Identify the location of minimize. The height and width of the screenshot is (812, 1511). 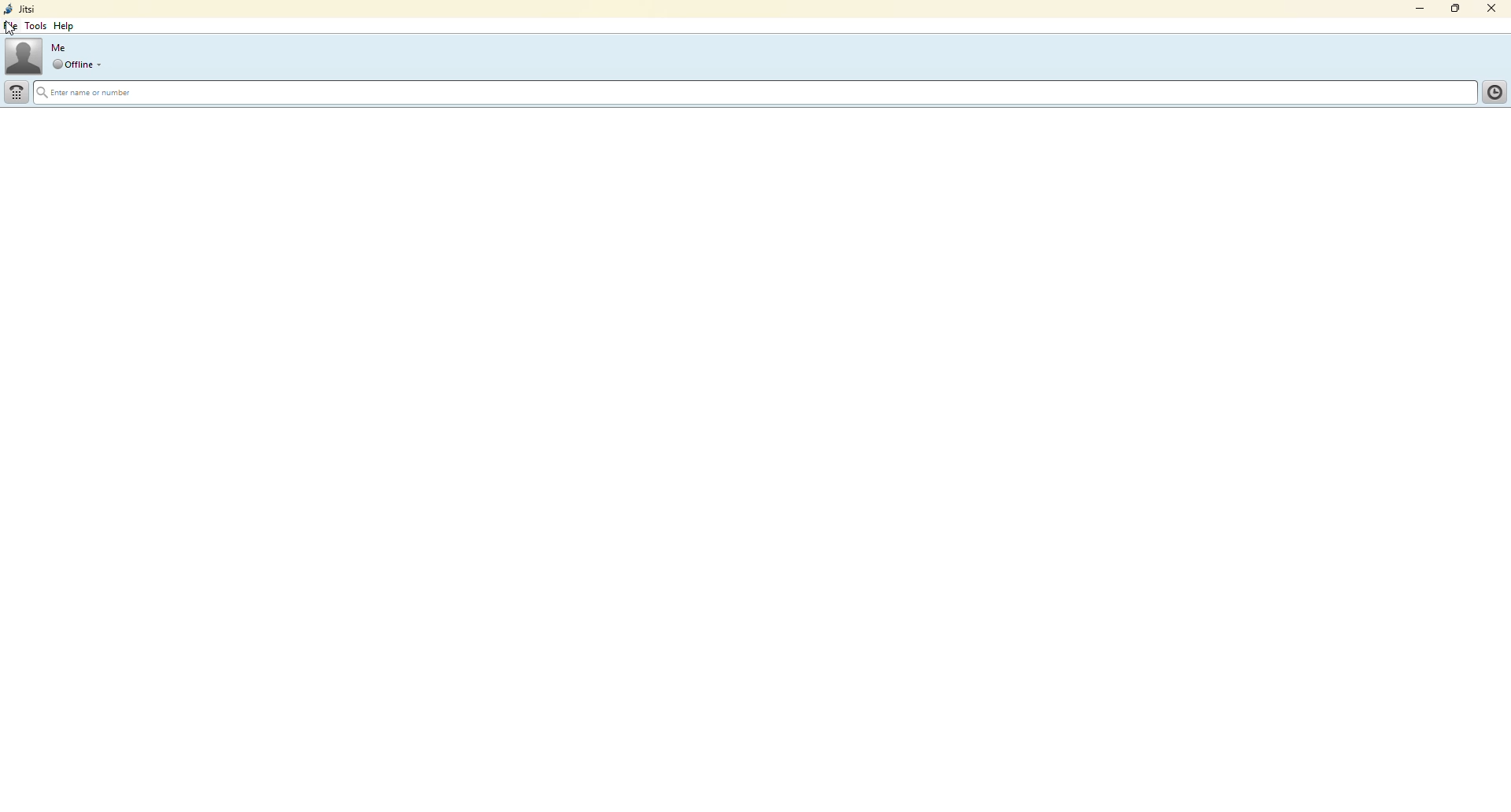
(1413, 9).